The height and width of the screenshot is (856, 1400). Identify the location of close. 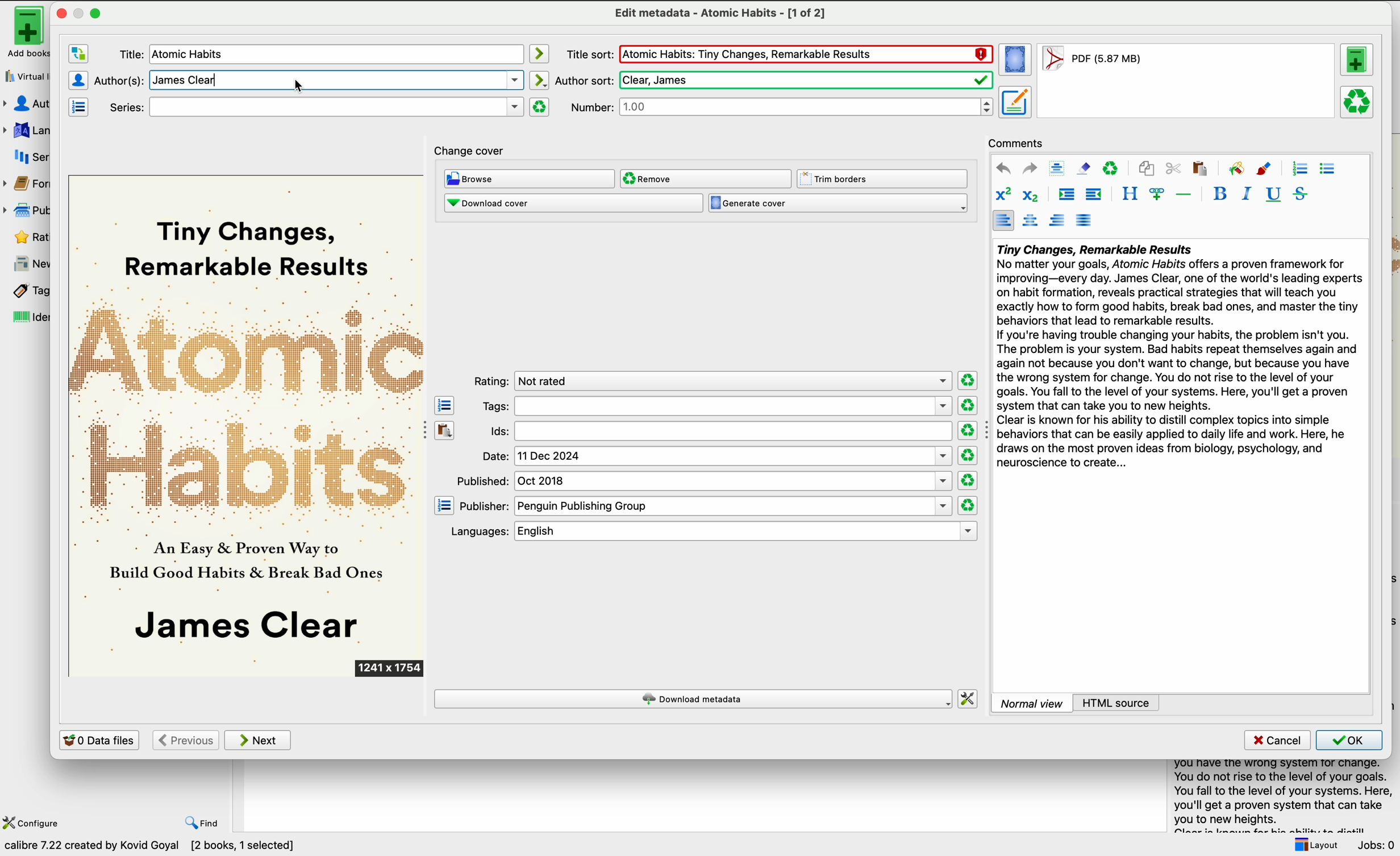
(60, 13).